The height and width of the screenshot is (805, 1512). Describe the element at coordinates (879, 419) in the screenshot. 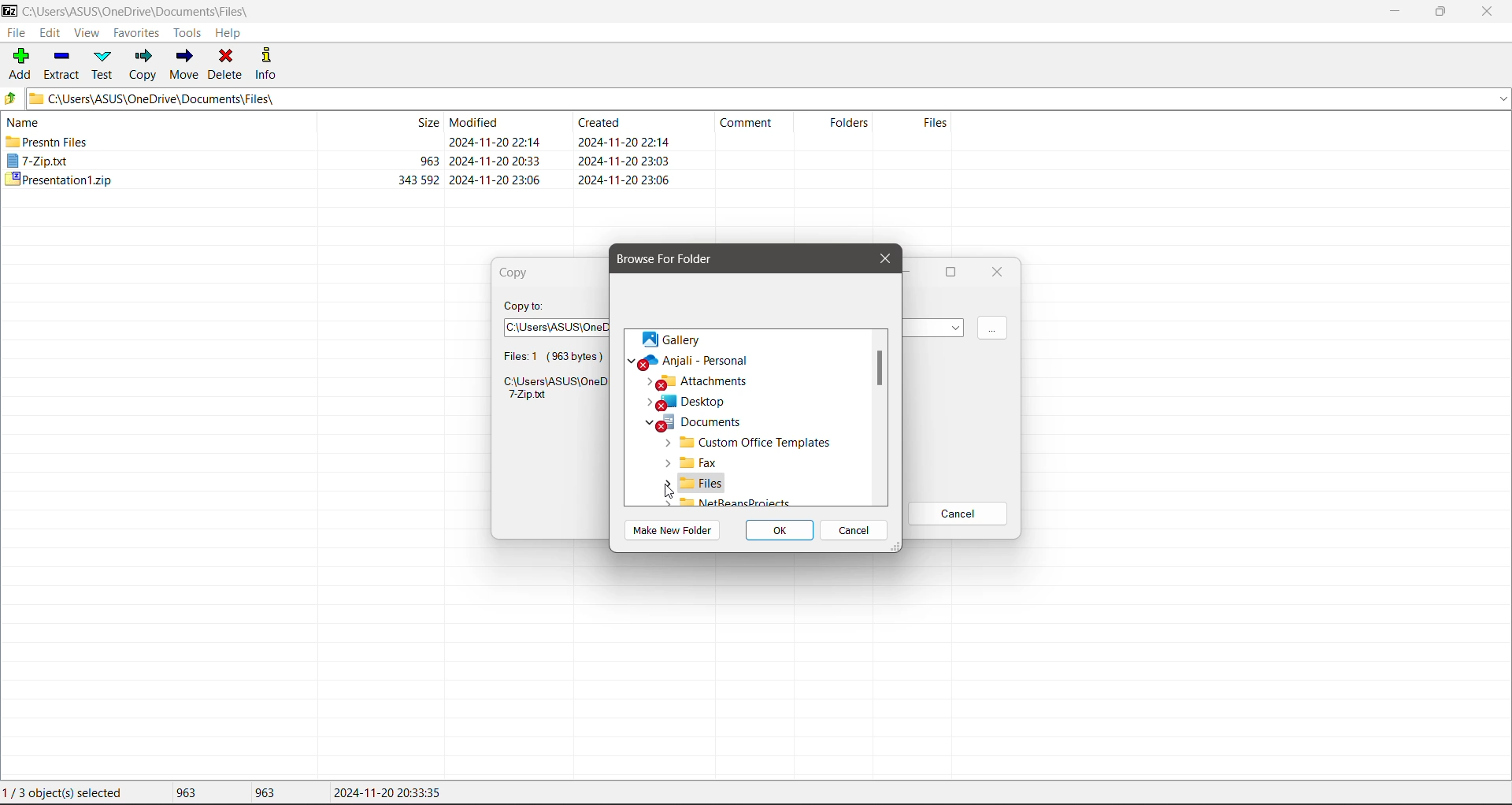

I see `Vertical Scroll Bar` at that location.